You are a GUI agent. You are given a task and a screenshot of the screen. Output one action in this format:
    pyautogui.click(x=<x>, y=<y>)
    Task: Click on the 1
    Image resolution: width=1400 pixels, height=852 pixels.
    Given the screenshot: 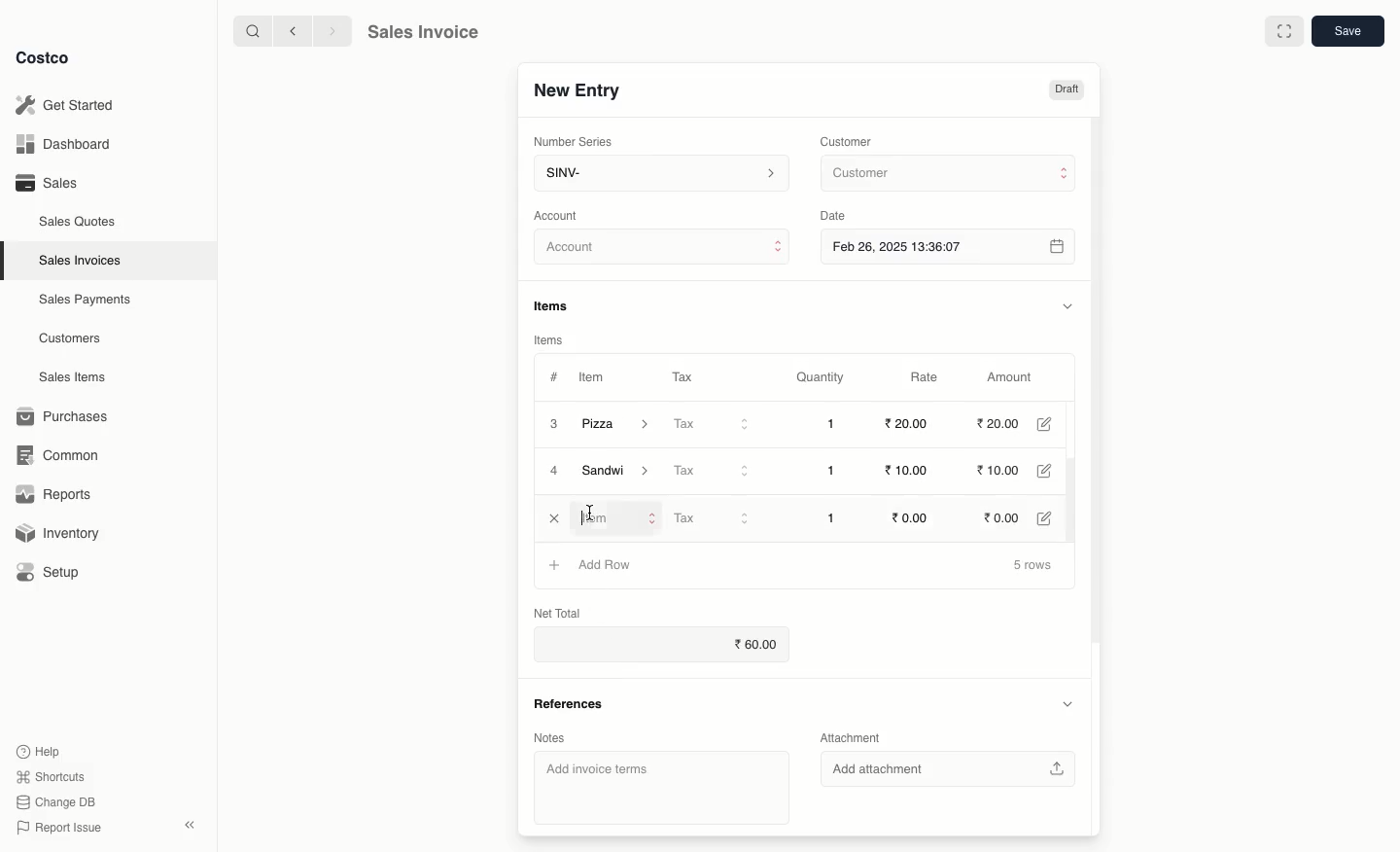 What is the action you would take?
    pyautogui.click(x=834, y=516)
    